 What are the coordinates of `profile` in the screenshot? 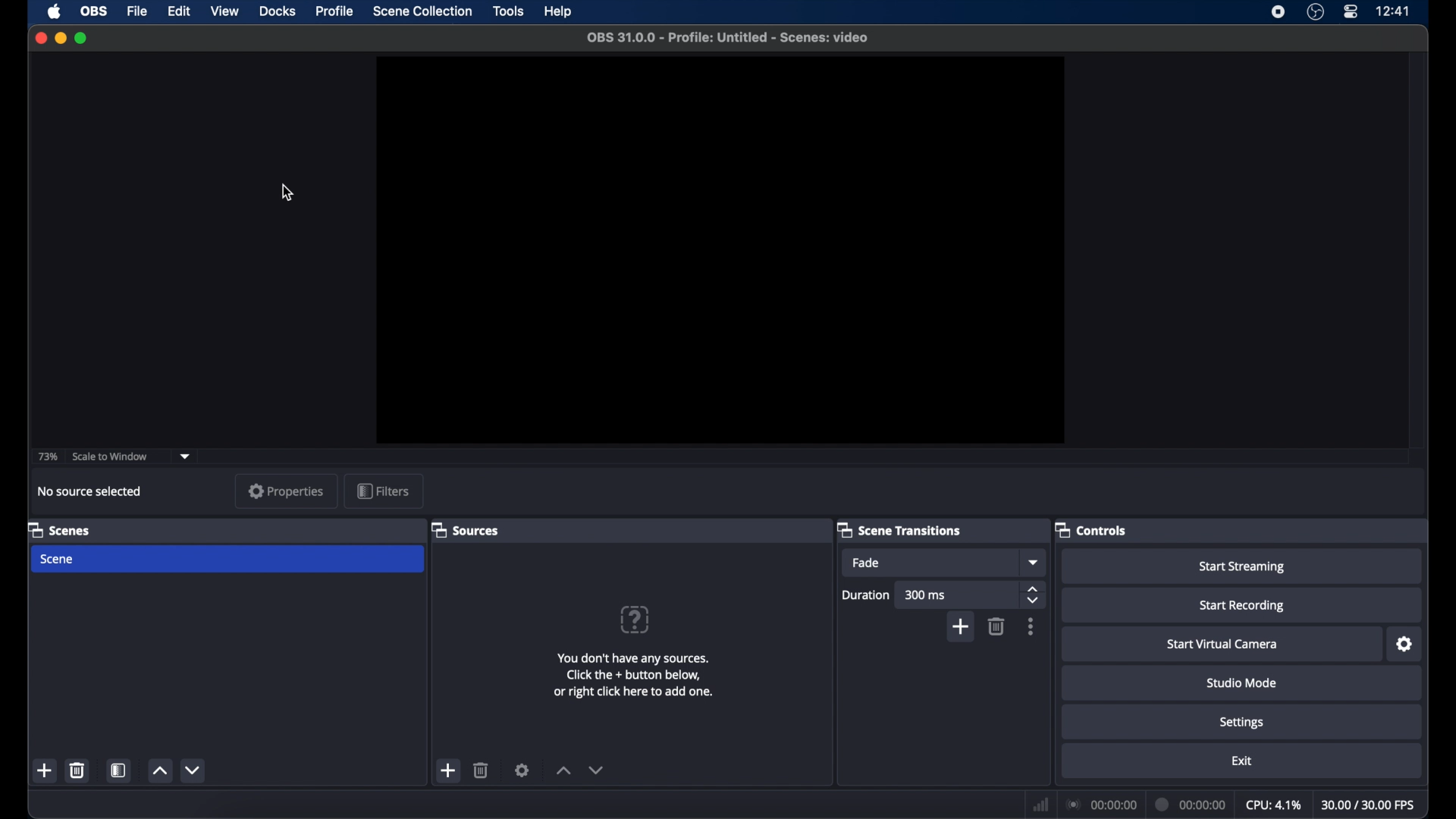 It's located at (336, 11).